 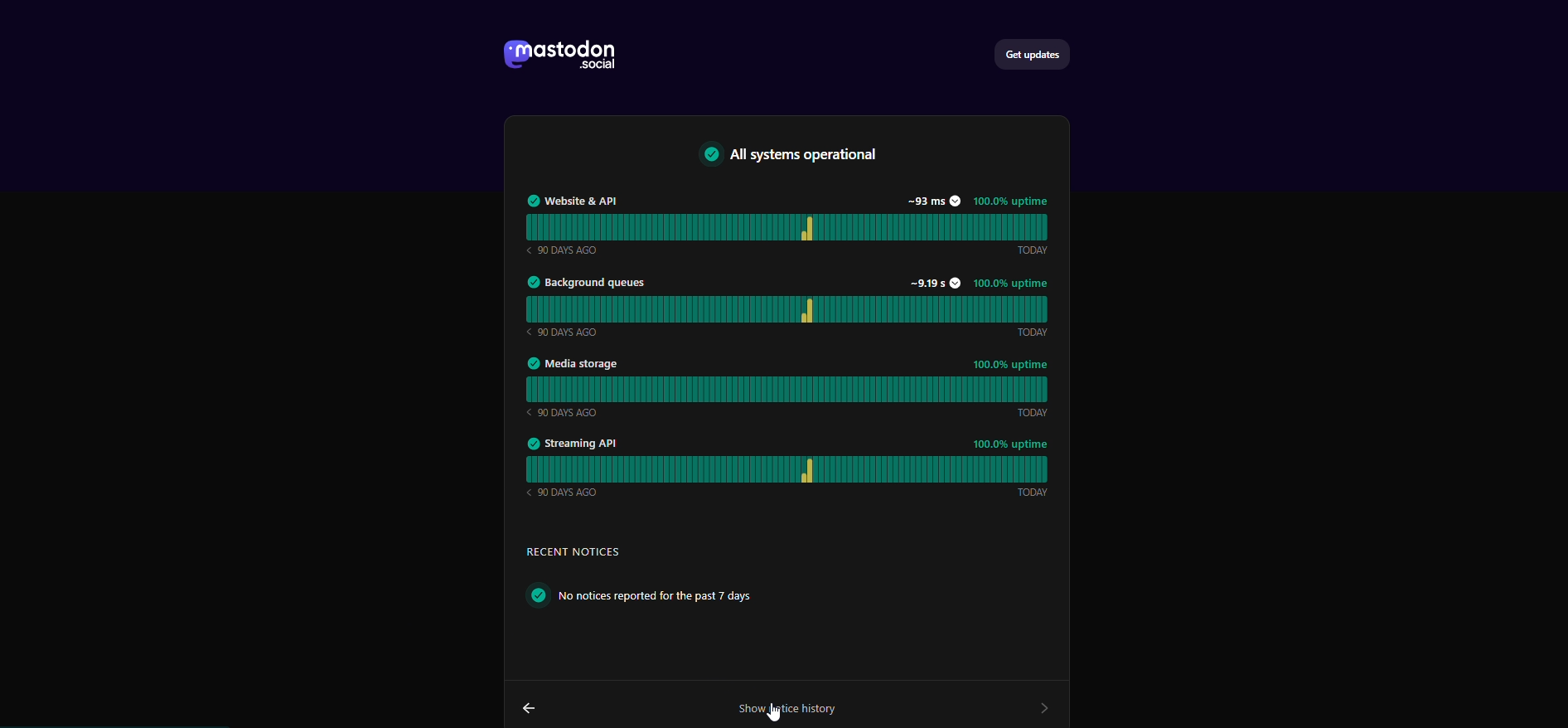 I want to click on streaming api status, so click(x=791, y=471).